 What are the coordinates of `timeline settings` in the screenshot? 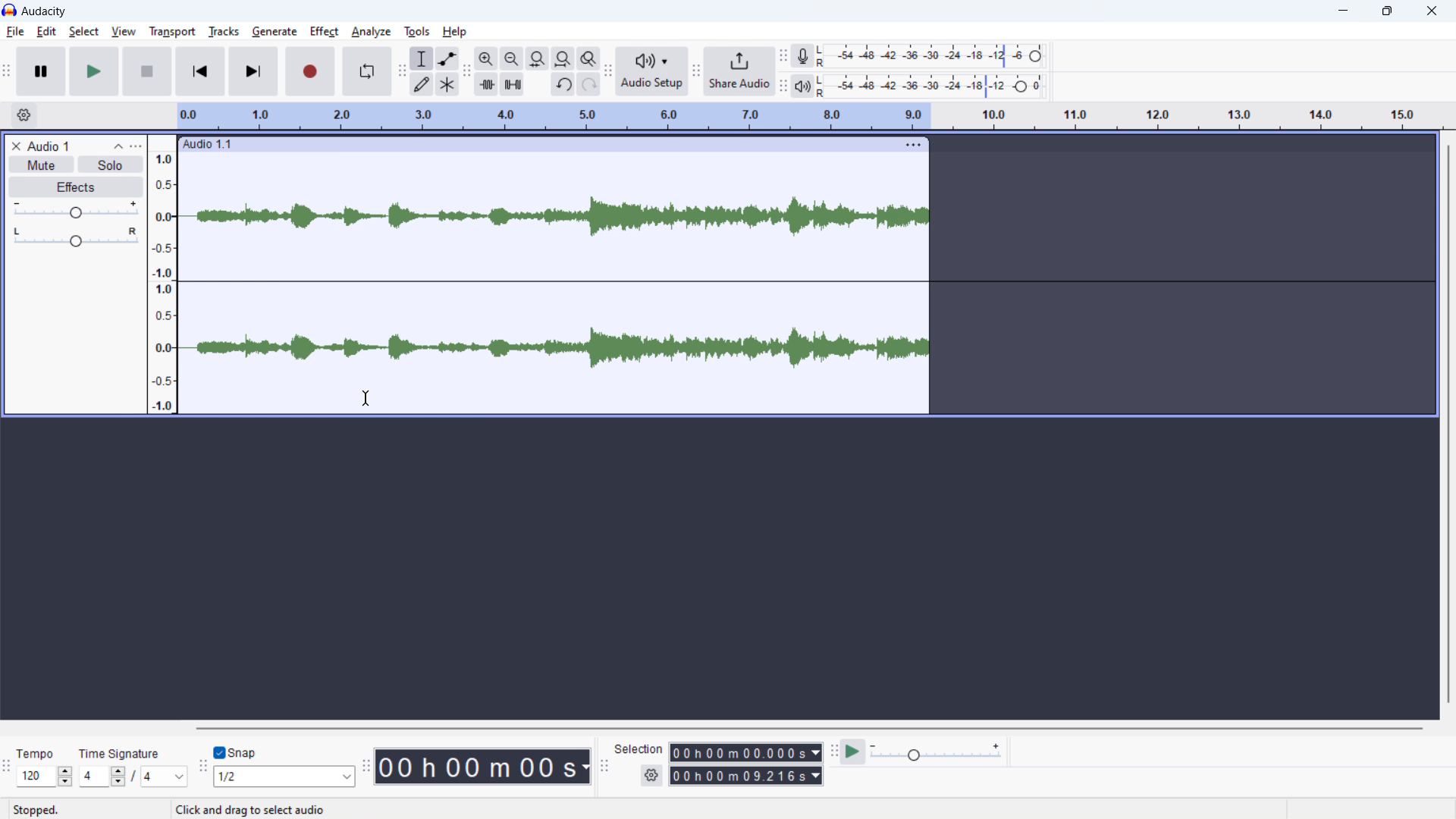 It's located at (23, 116).